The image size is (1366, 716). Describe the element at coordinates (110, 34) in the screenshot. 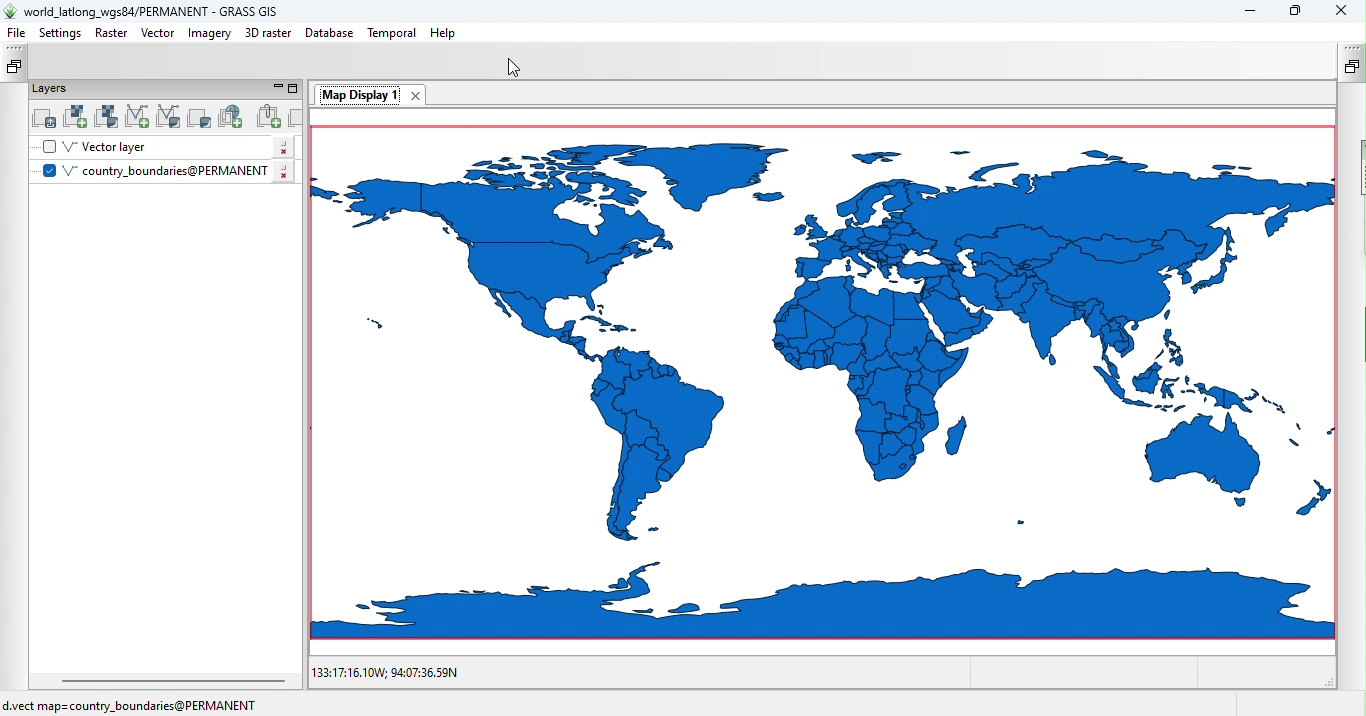

I see `Raster` at that location.